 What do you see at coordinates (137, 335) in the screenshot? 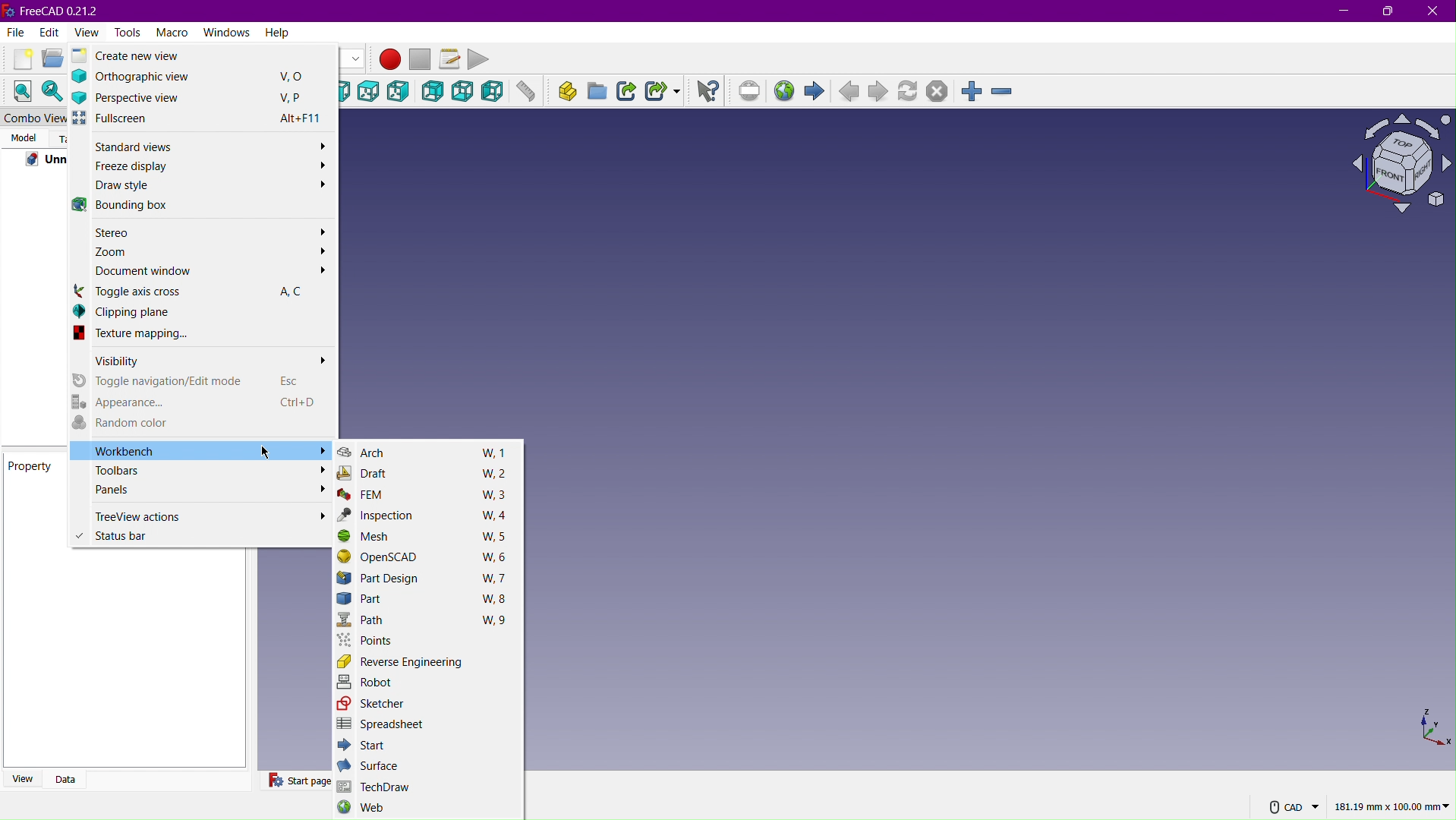
I see `Texture` at bounding box center [137, 335].